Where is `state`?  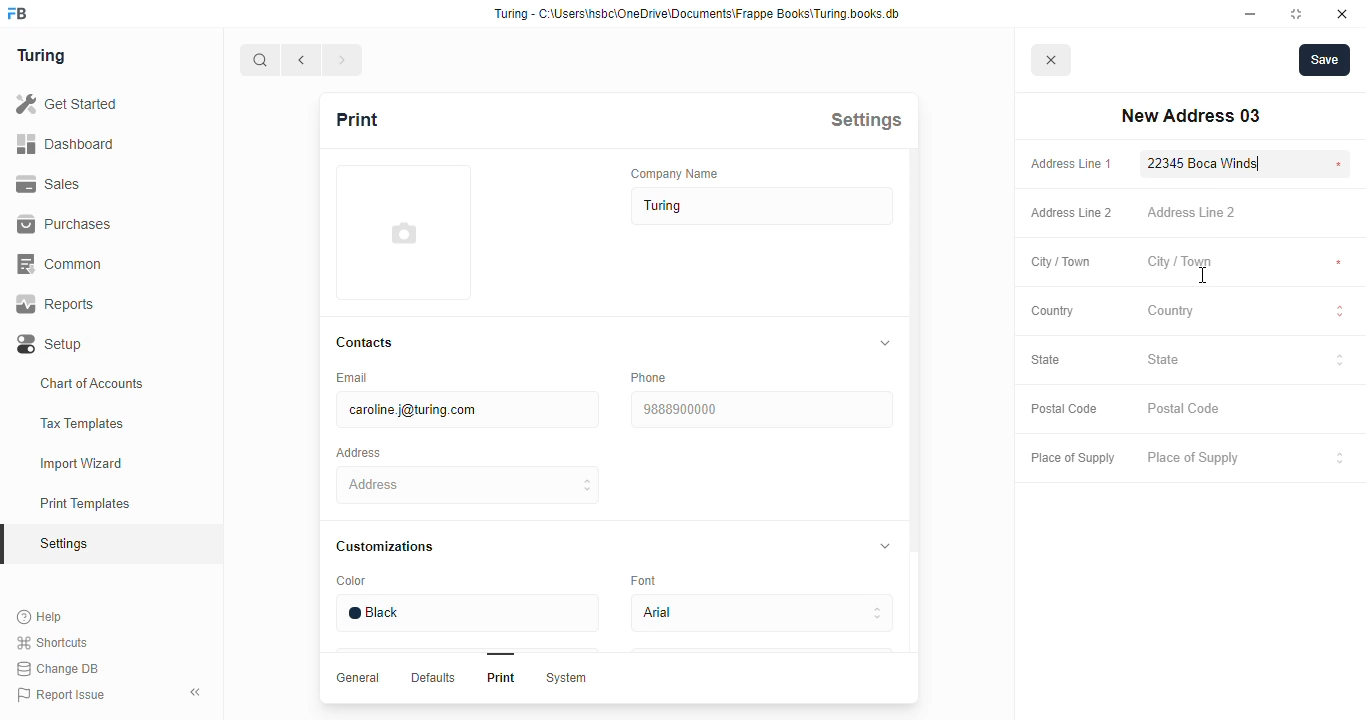 state is located at coordinates (1246, 362).